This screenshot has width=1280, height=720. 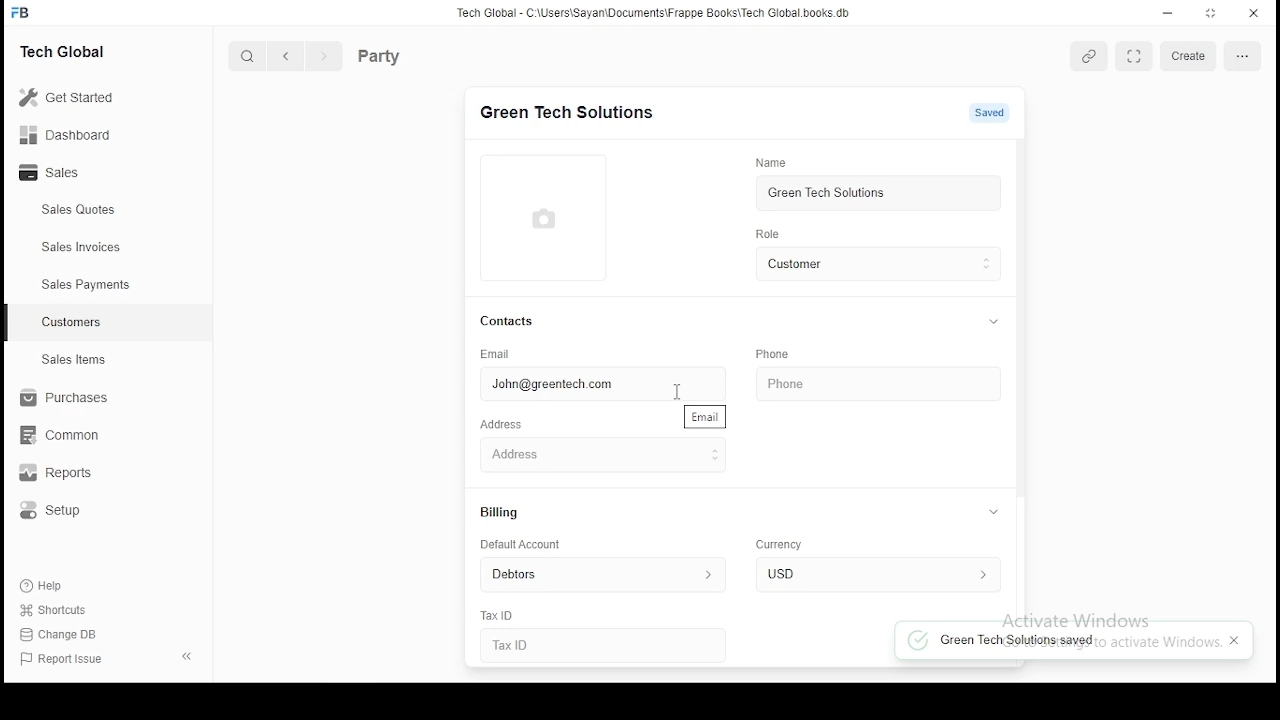 What do you see at coordinates (59, 437) in the screenshot?
I see `common` at bounding box center [59, 437].